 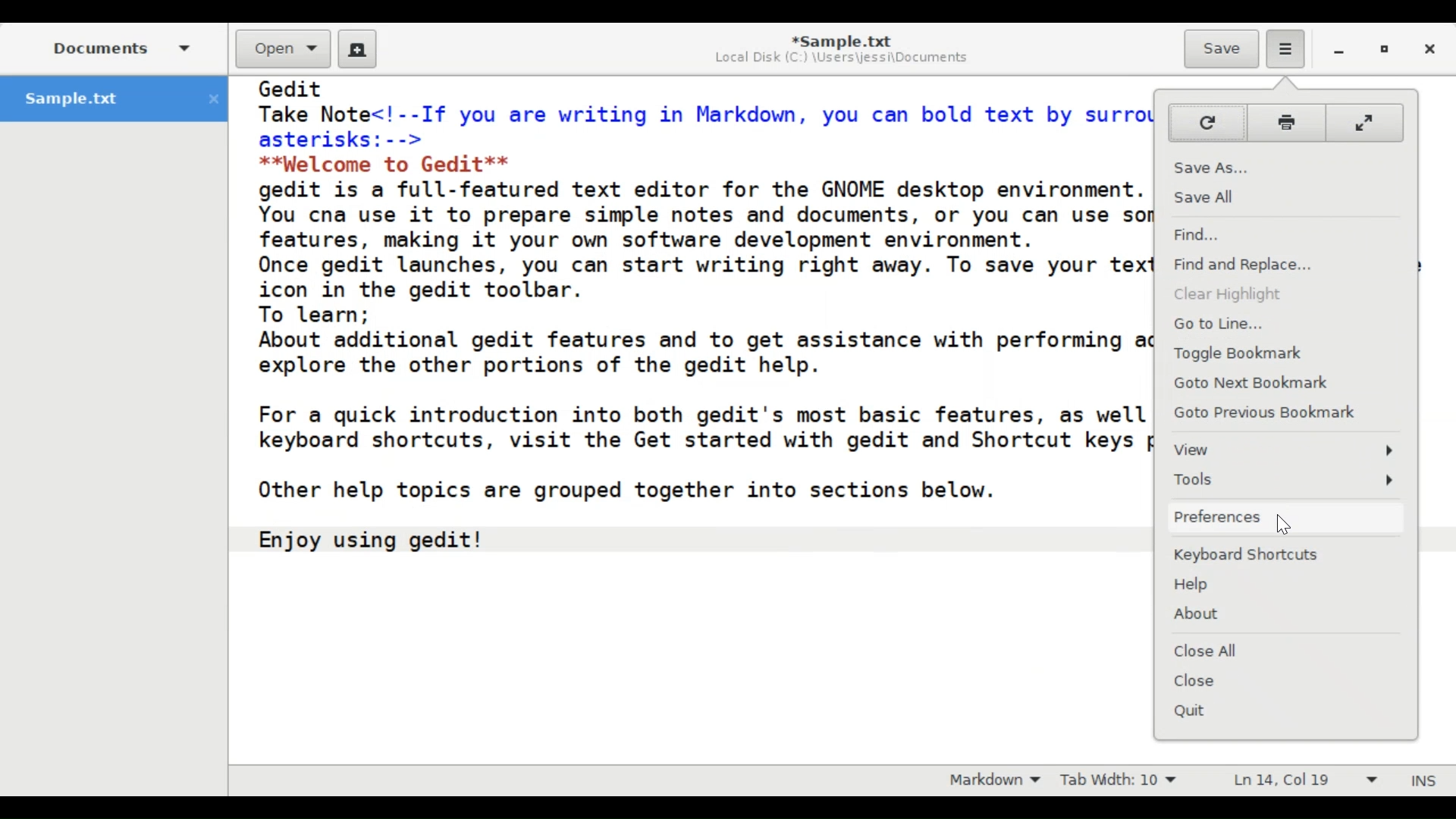 What do you see at coordinates (1341, 51) in the screenshot?
I see `minimize` at bounding box center [1341, 51].